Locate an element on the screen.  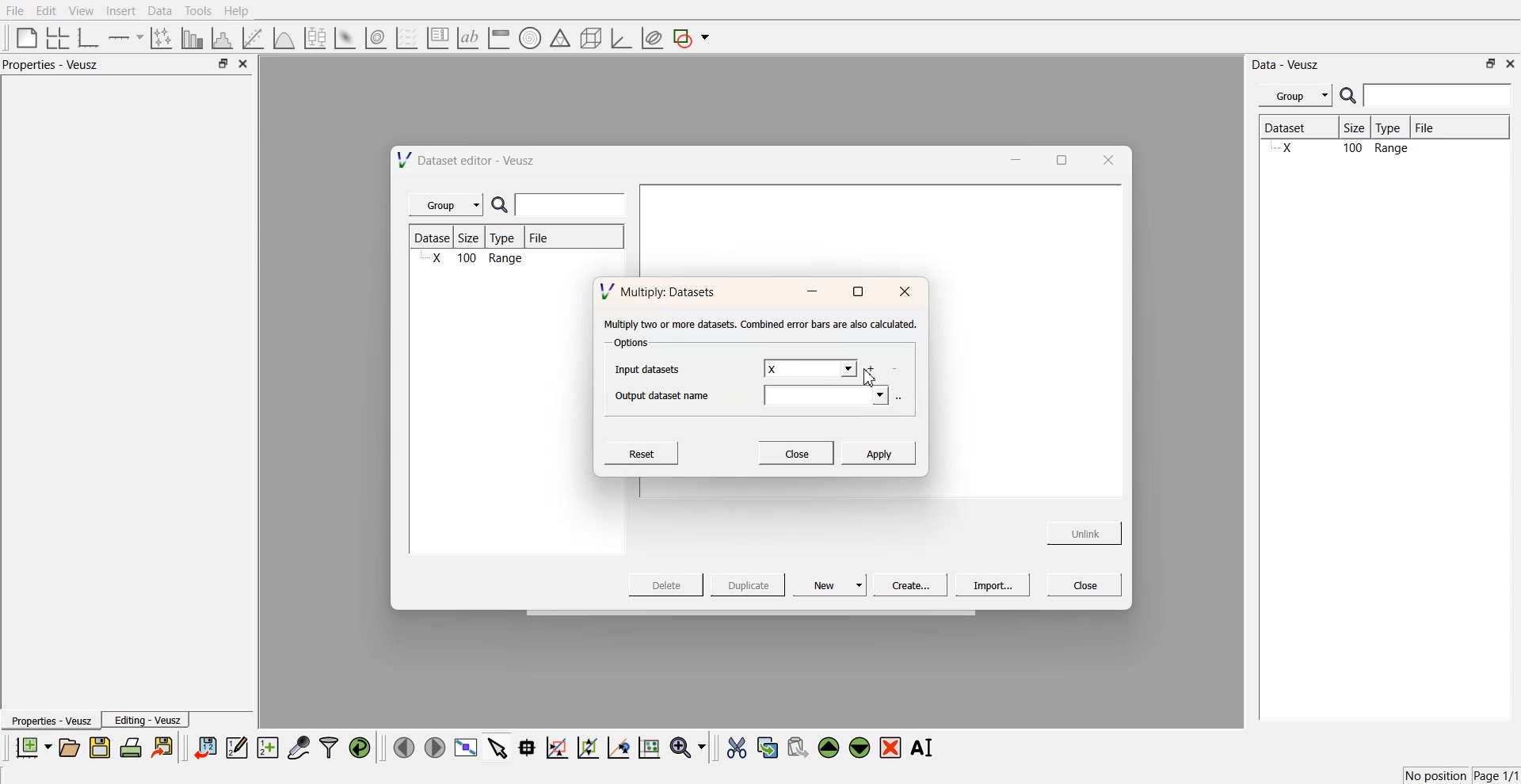
Rename the selected widgets is located at coordinates (925, 748).